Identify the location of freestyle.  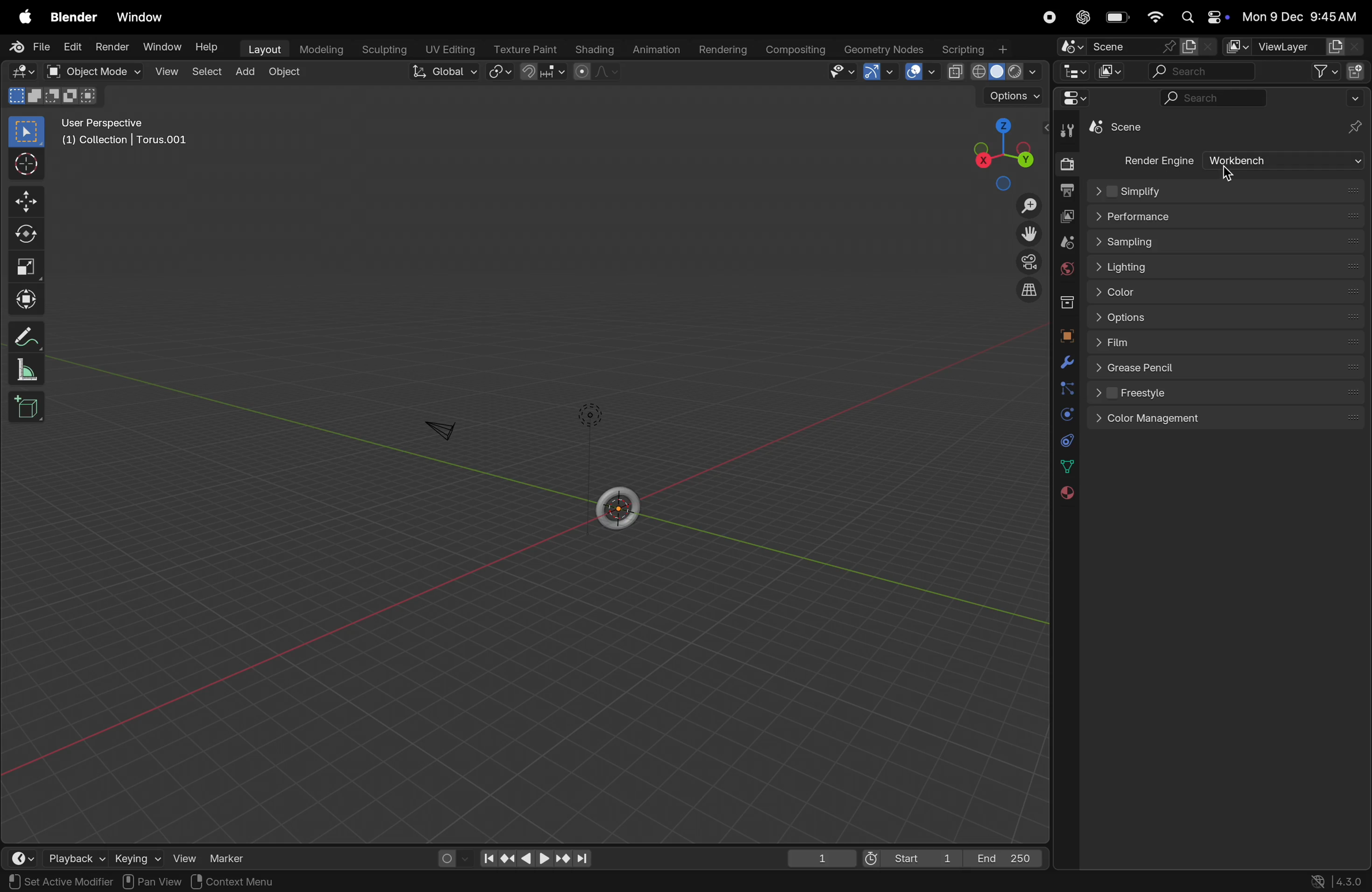
(1229, 396).